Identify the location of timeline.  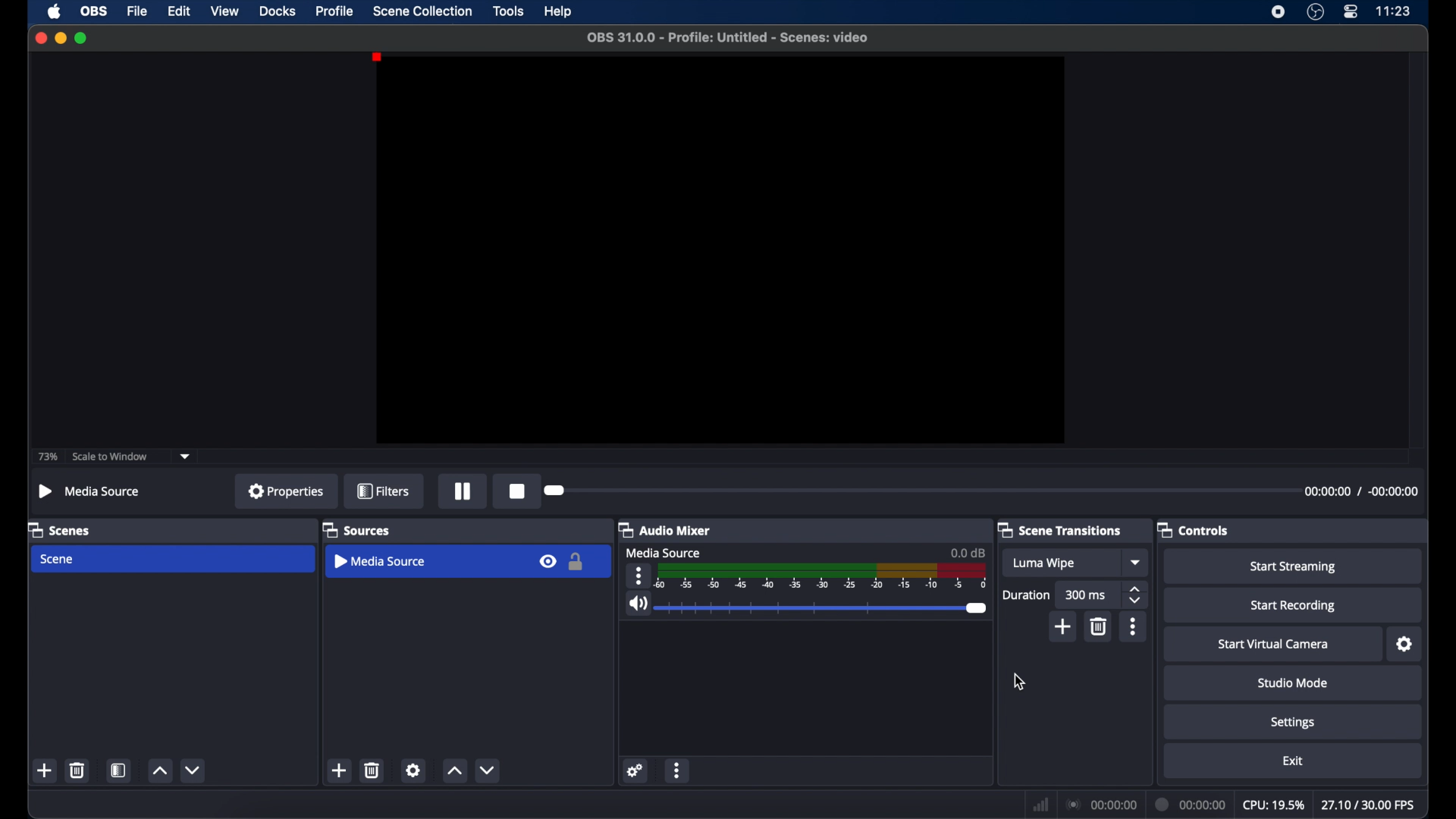
(824, 578).